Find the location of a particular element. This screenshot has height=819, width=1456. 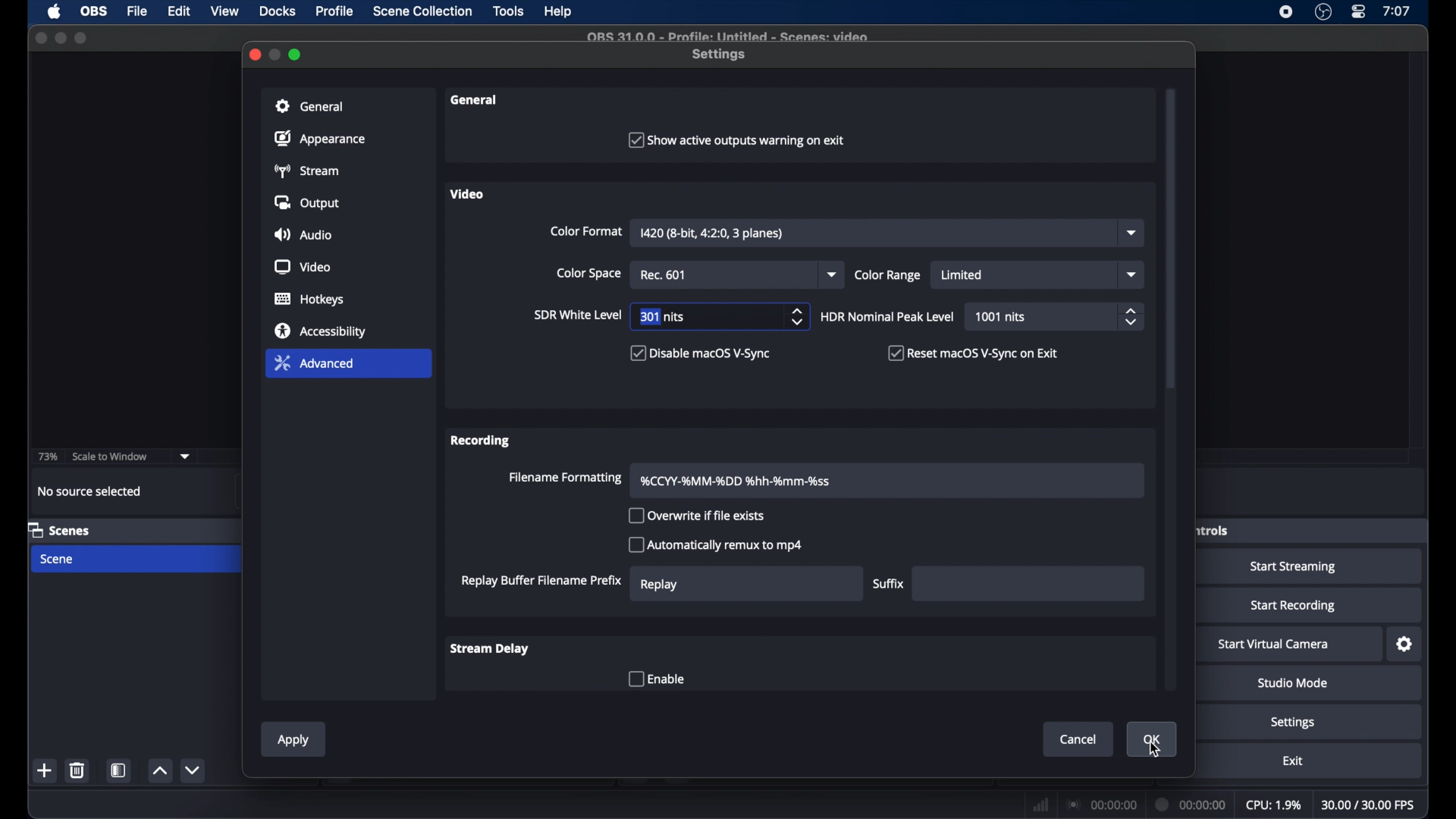

color range is located at coordinates (887, 275).